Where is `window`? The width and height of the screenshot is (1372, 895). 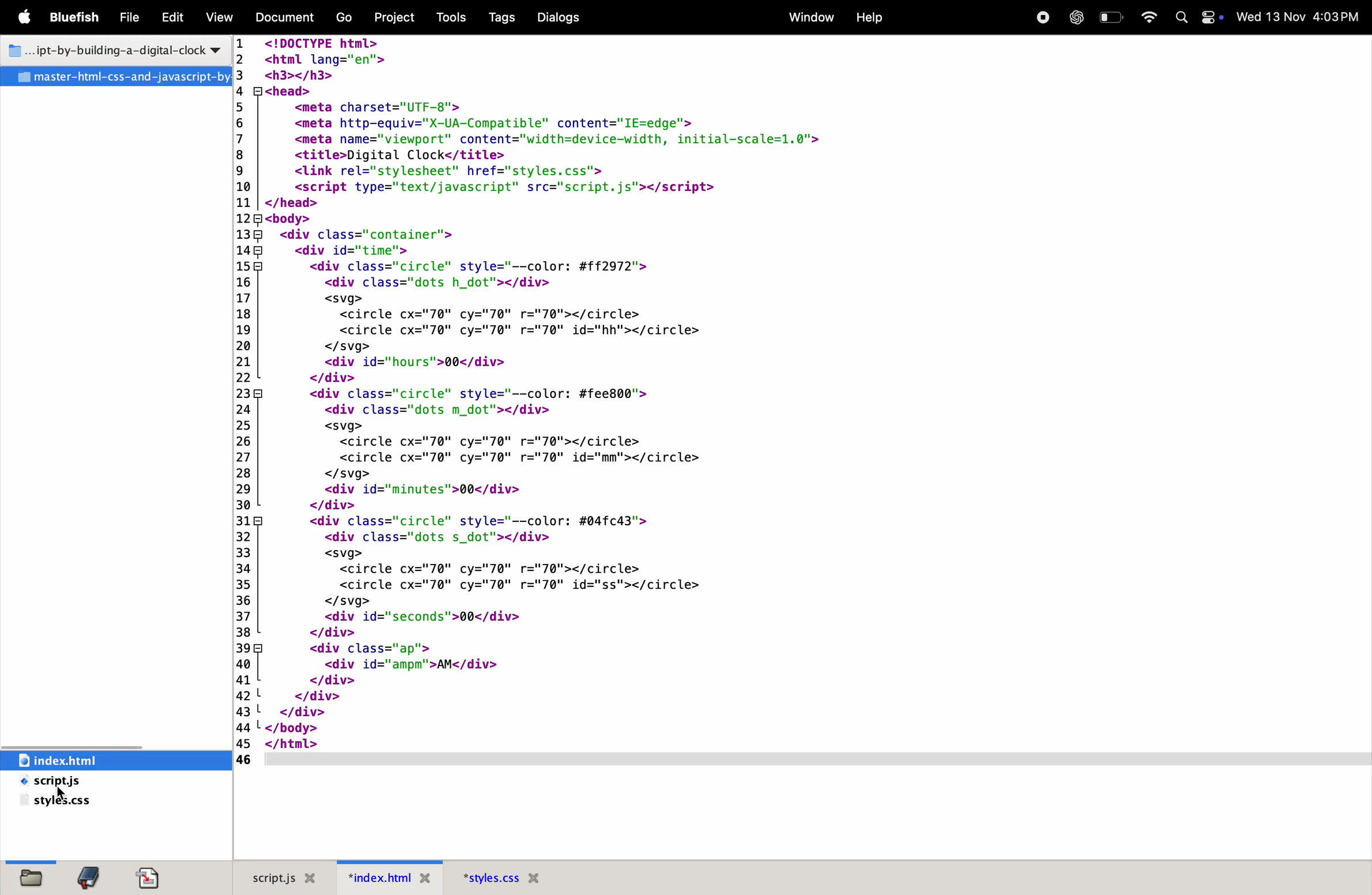
window is located at coordinates (810, 17).